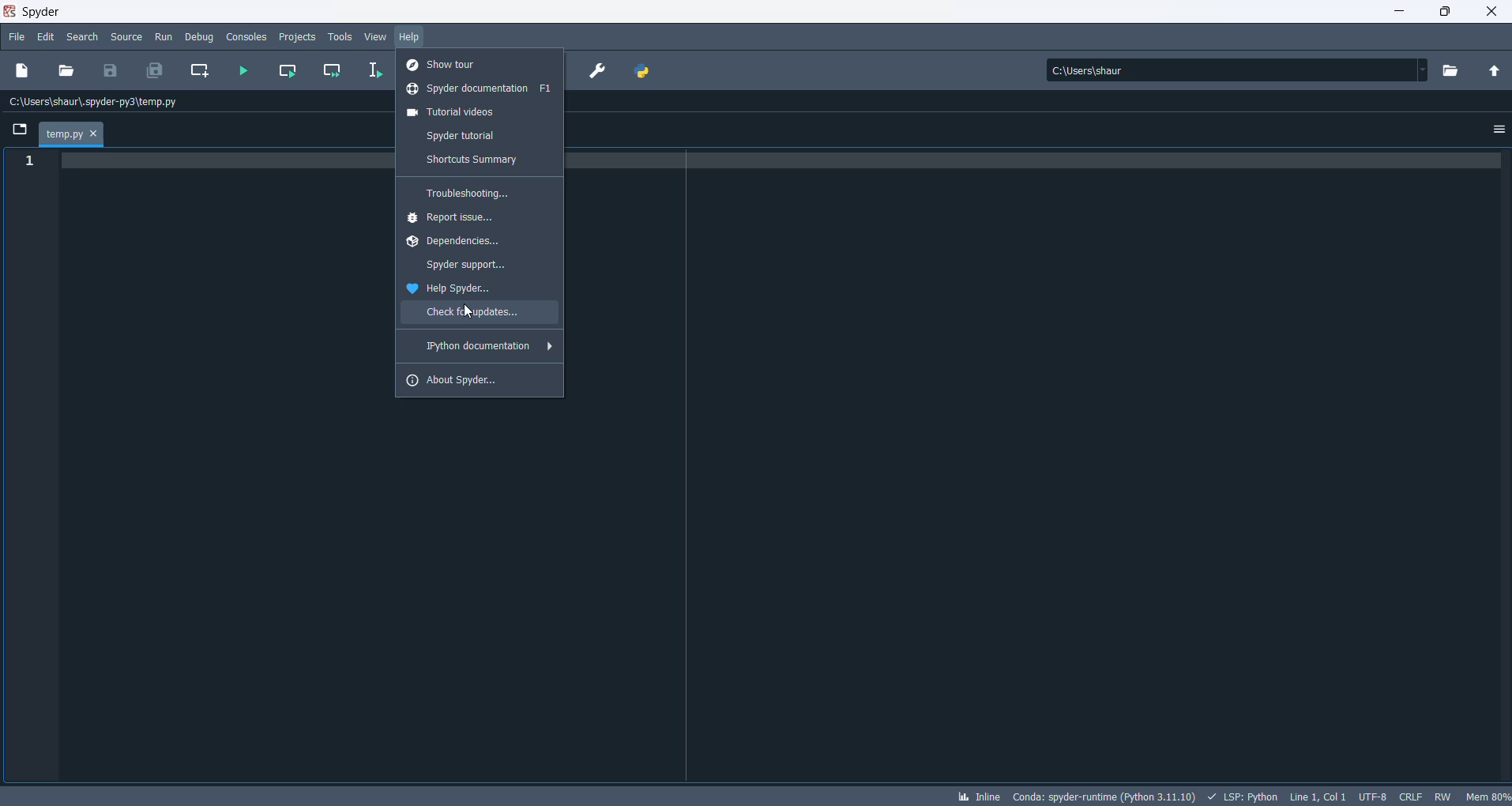 The height and width of the screenshot is (806, 1512). What do you see at coordinates (334, 70) in the screenshot?
I see `run current cell` at bounding box center [334, 70].